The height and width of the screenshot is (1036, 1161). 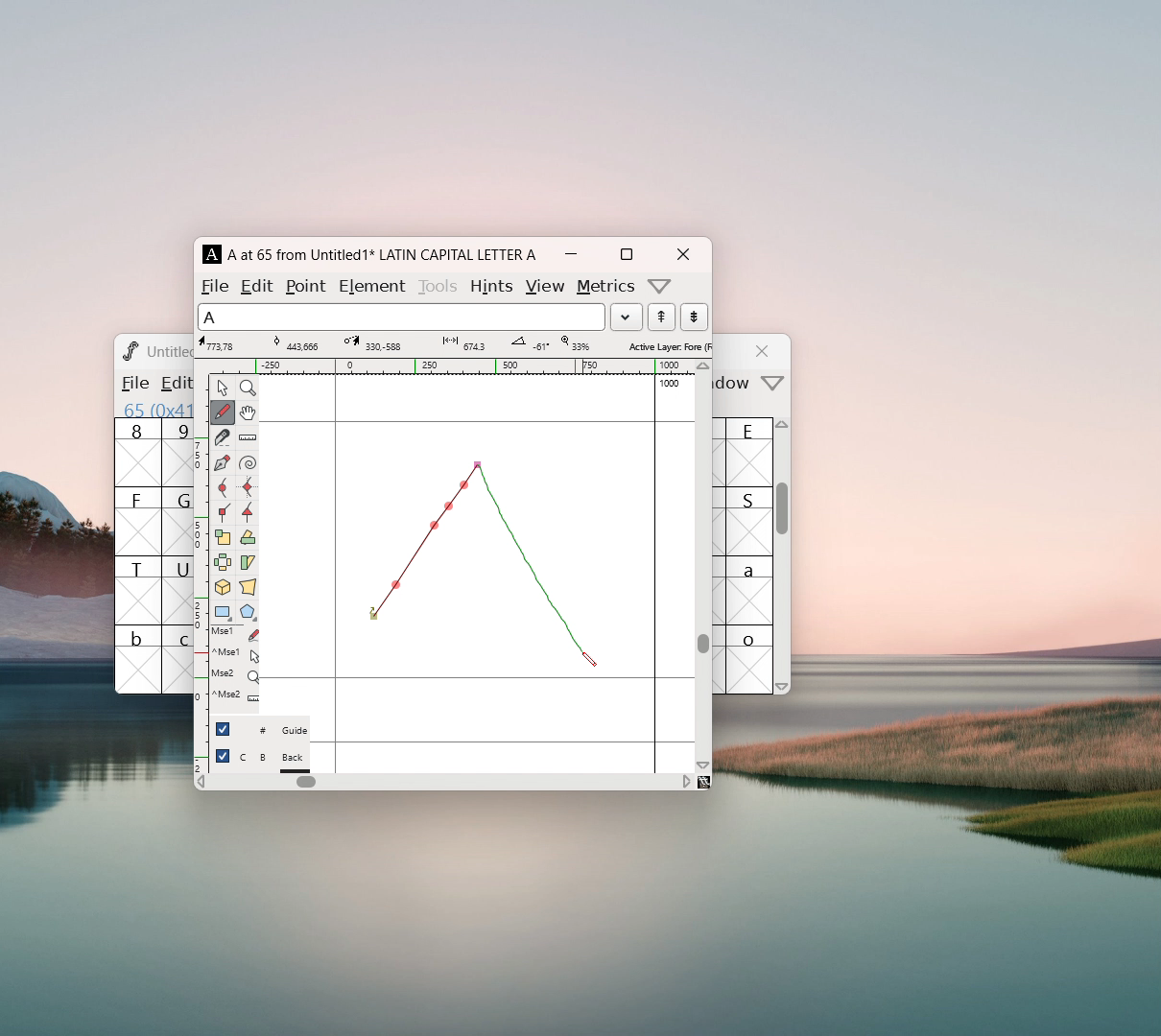 What do you see at coordinates (655, 573) in the screenshot?
I see `right side bearing` at bounding box center [655, 573].